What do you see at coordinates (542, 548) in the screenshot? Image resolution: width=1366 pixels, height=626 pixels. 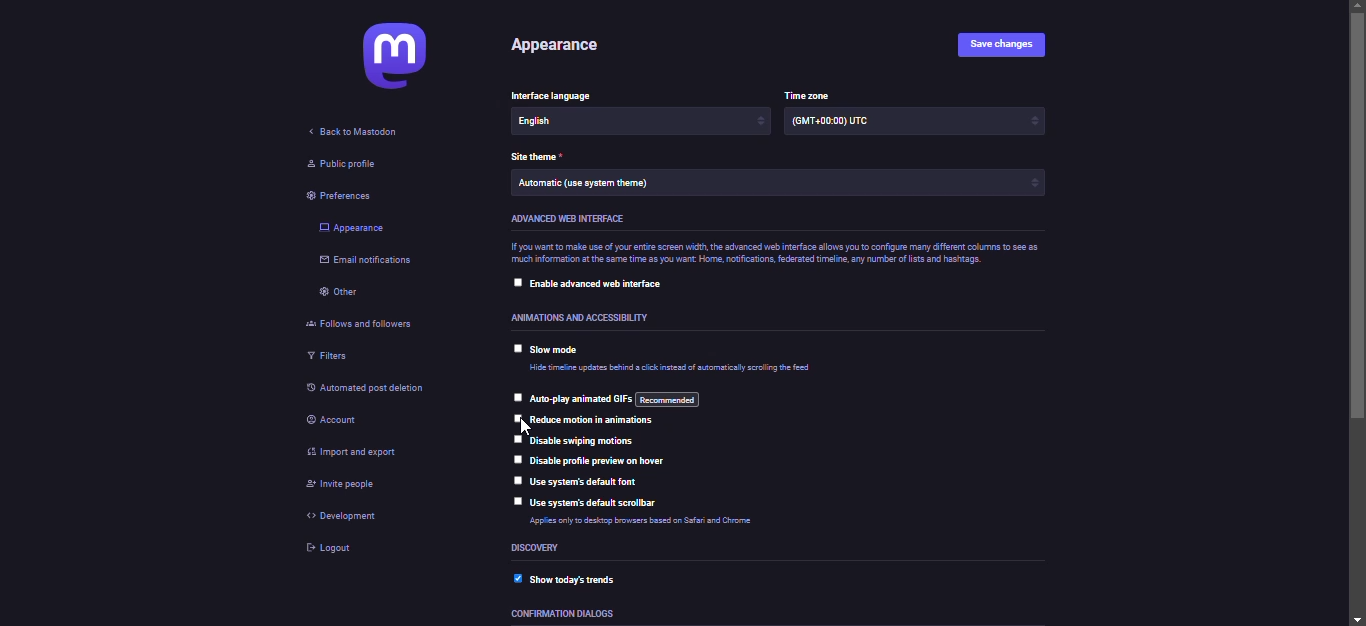 I see `discovery` at bounding box center [542, 548].